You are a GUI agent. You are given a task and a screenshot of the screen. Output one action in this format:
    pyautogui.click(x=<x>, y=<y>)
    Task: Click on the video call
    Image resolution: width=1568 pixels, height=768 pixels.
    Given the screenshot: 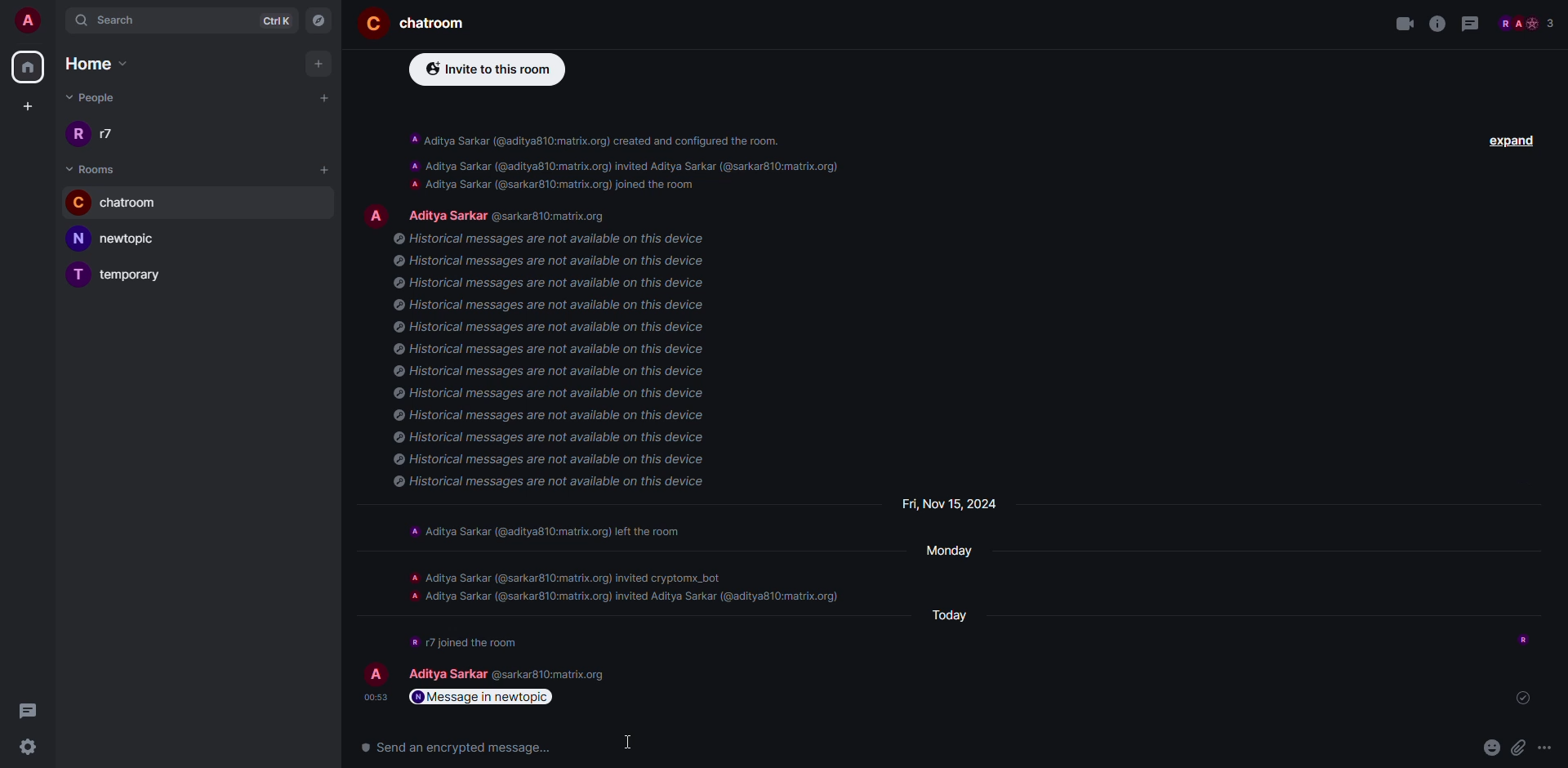 What is the action you would take?
    pyautogui.click(x=1400, y=25)
    